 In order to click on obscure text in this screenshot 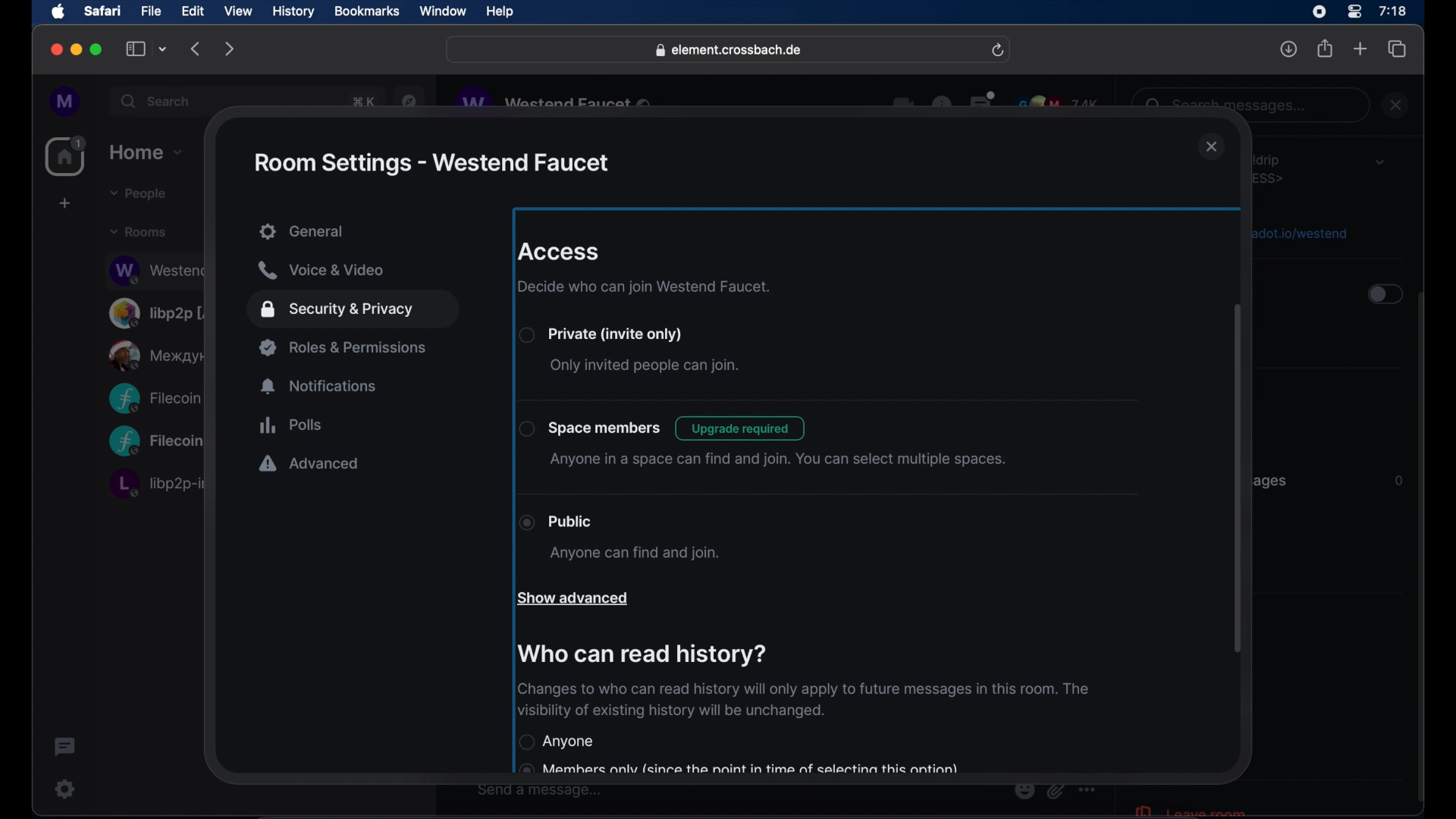, I will do `click(1229, 105)`.